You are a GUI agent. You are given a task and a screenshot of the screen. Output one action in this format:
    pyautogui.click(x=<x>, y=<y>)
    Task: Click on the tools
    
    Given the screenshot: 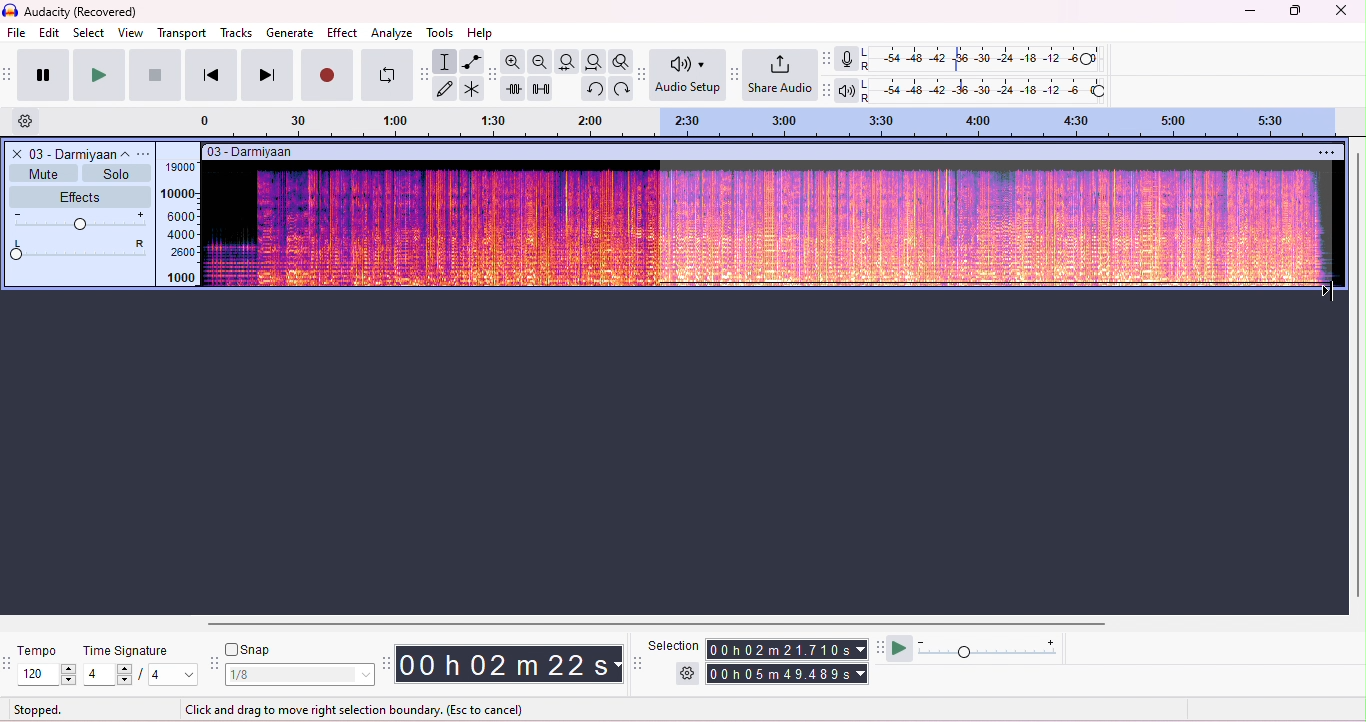 What is the action you would take?
    pyautogui.click(x=444, y=33)
    